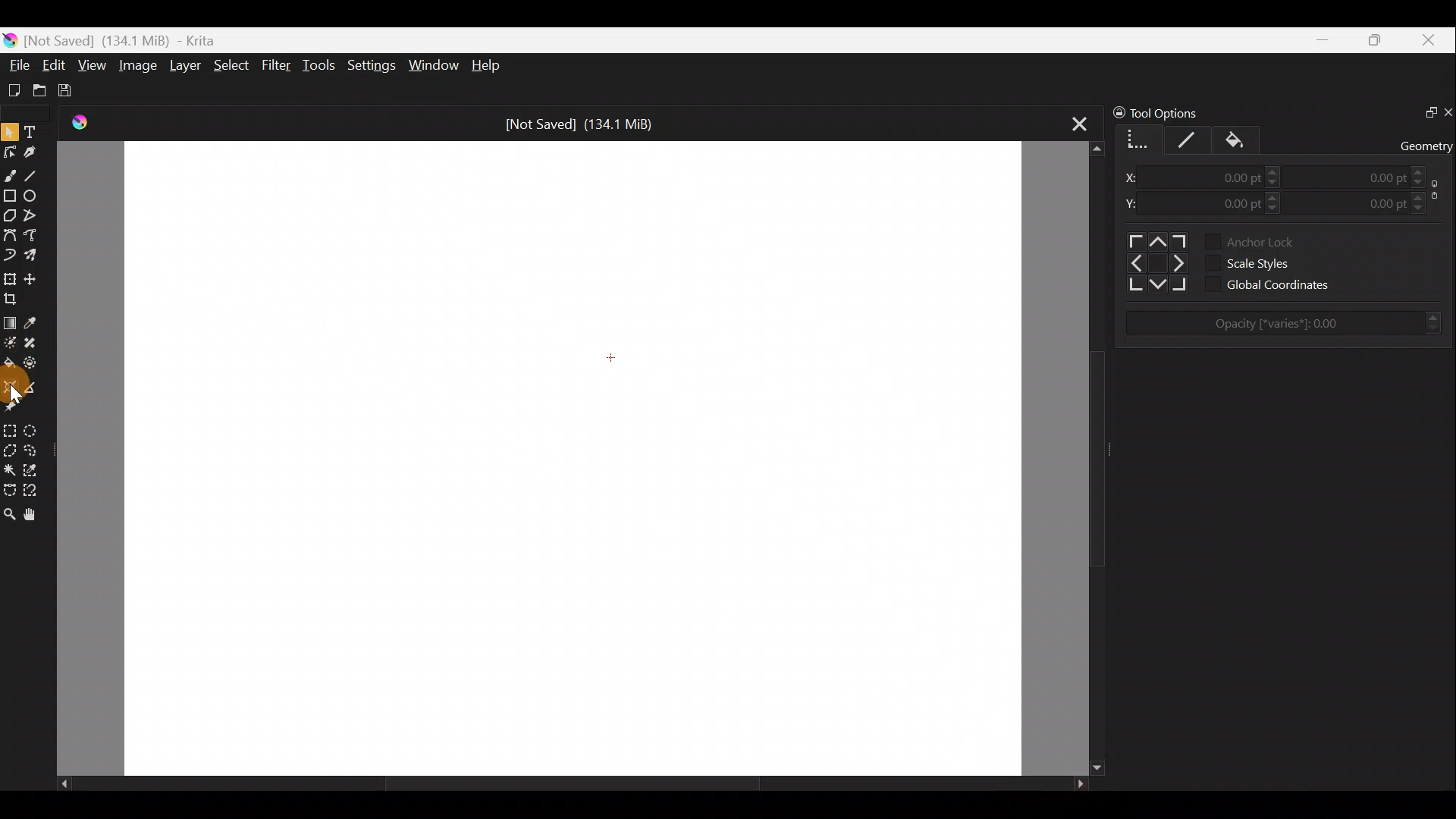 This screenshot has width=1456, height=819. Describe the element at coordinates (1292, 324) in the screenshot. I see `Opacity [*varies*]: 0.00` at that location.